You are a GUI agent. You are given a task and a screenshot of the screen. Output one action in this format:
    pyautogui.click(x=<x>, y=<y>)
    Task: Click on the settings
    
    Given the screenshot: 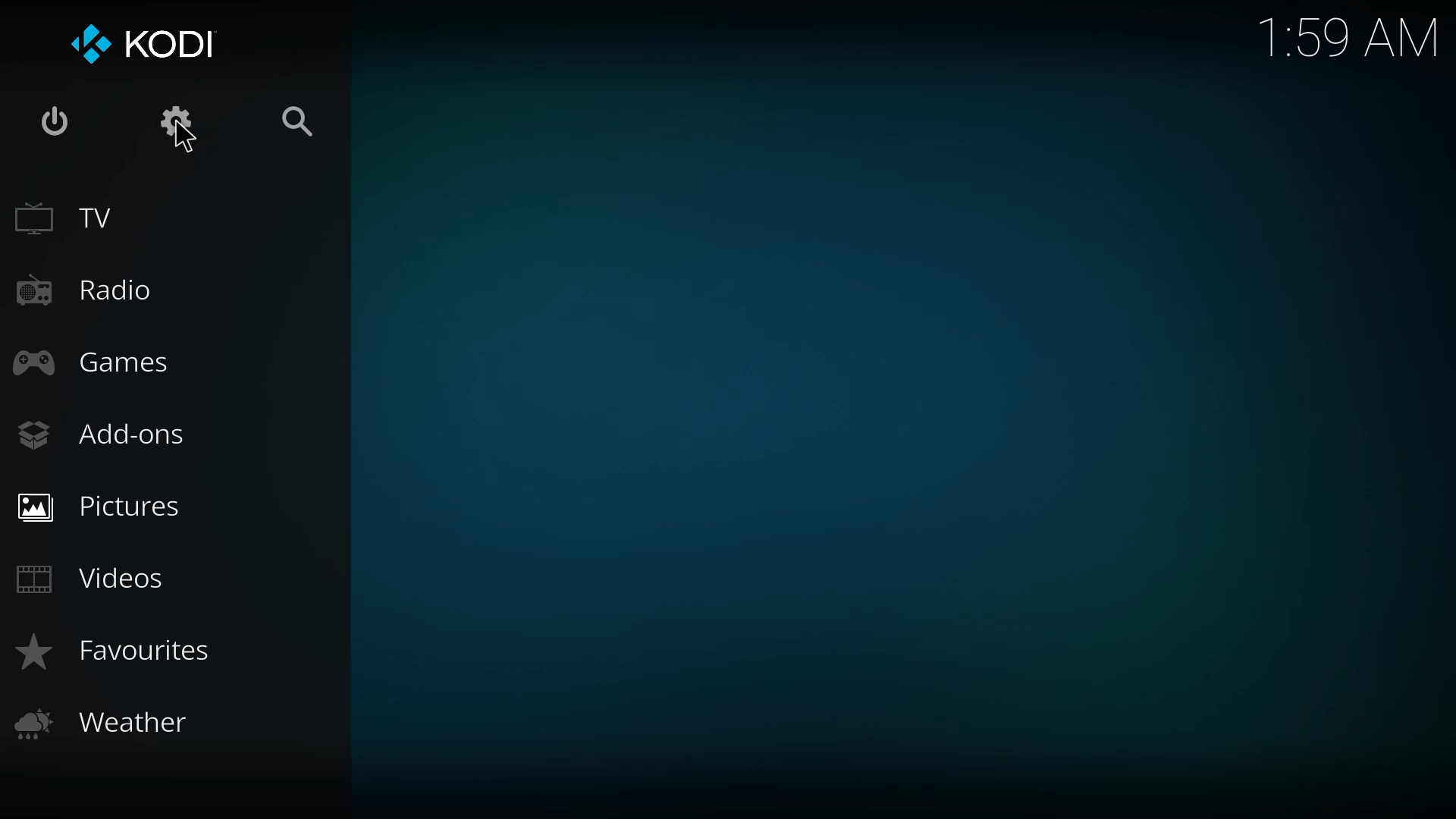 What is the action you would take?
    pyautogui.click(x=173, y=117)
    